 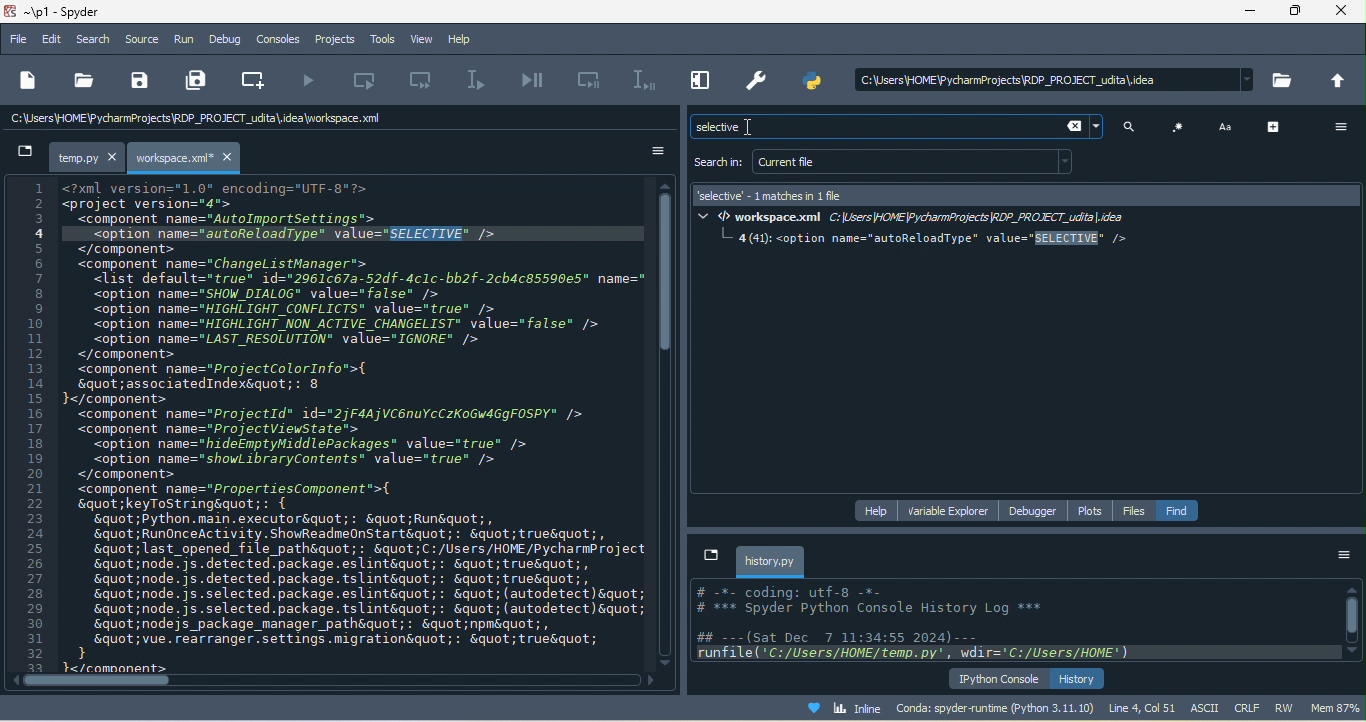 I want to click on vertical scroll bar, so click(x=1351, y=621).